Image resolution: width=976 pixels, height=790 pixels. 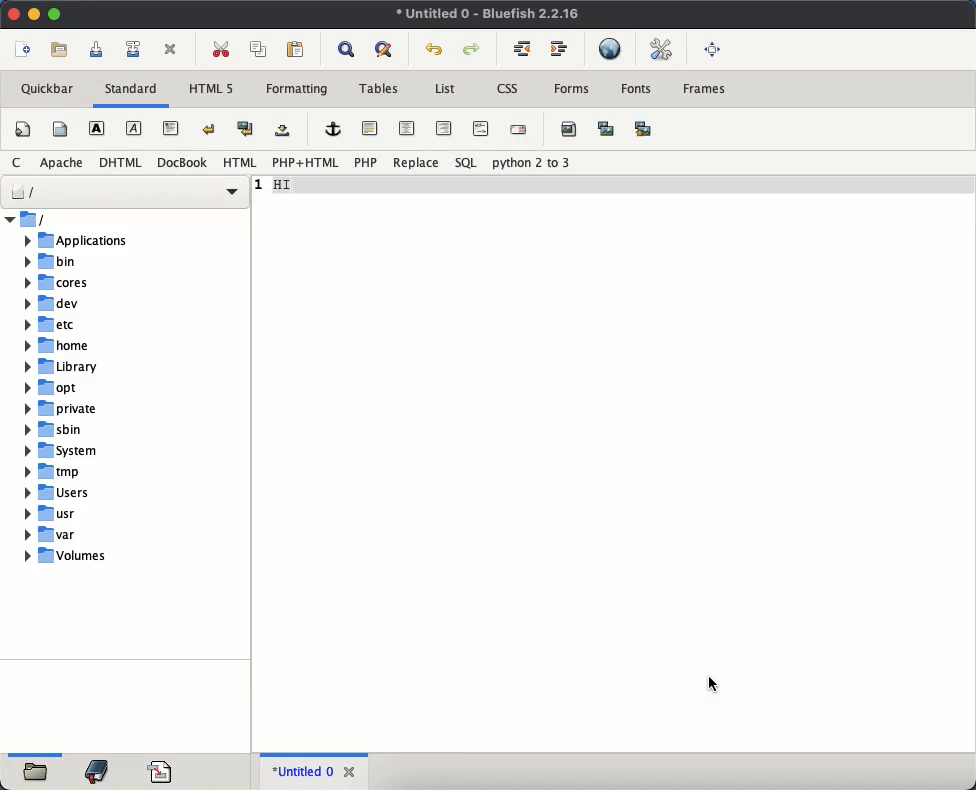 What do you see at coordinates (637, 89) in the screenshot?
I see `fonts` at bounding box center [637, 89].